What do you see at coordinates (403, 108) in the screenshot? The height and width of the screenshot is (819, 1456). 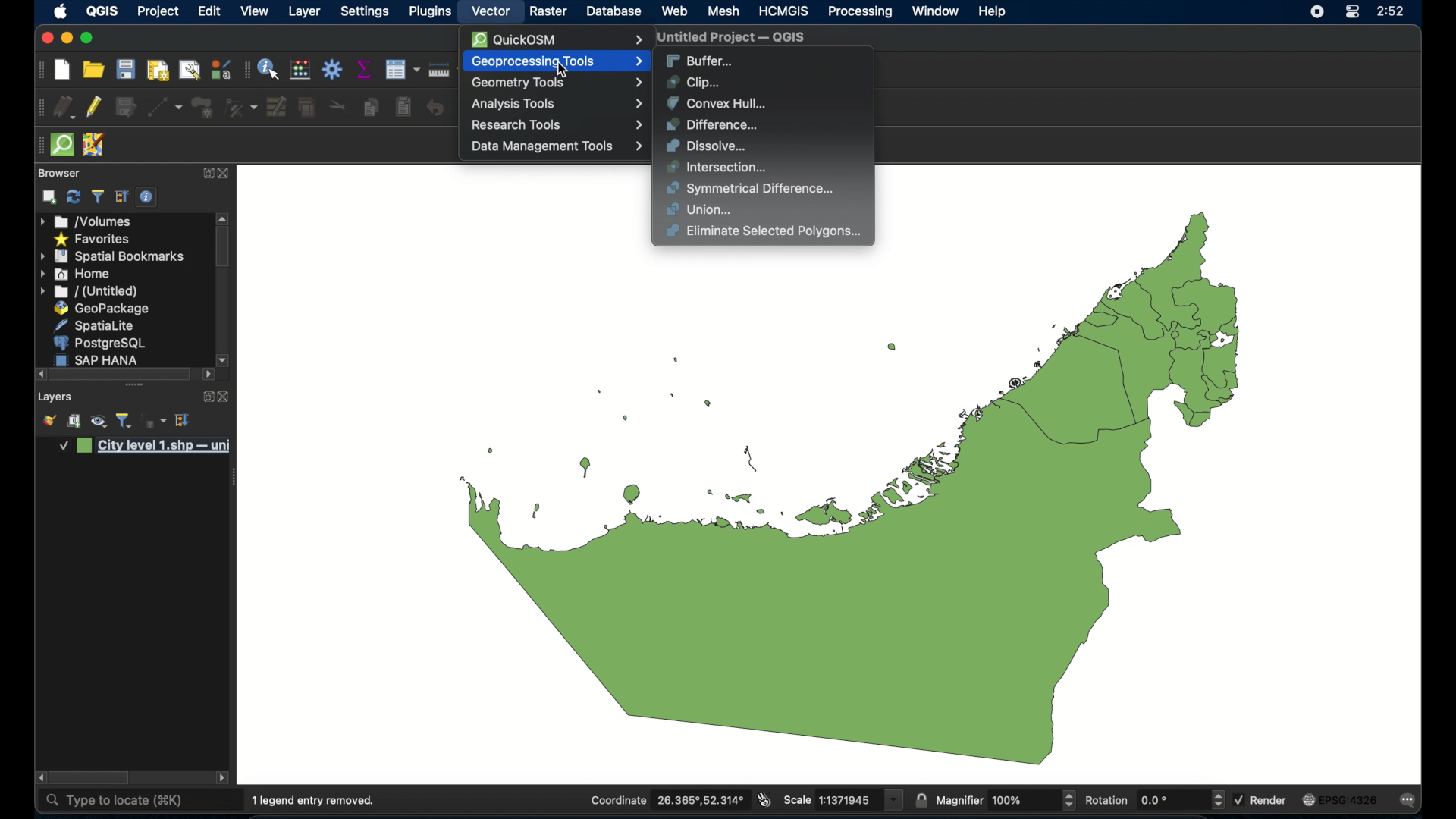 I see `paste features` at bounding box center [403, 108].